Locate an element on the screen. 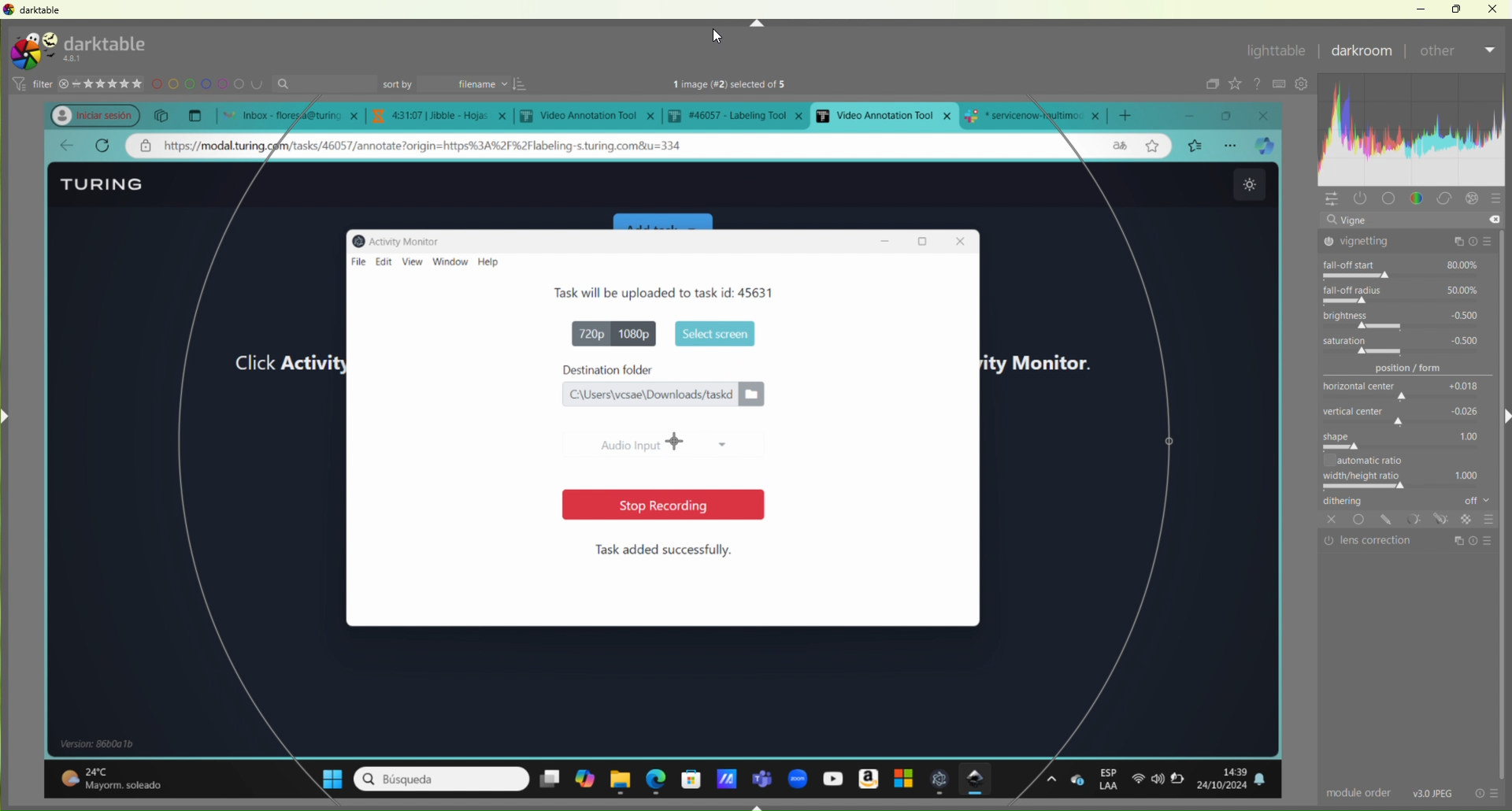 This screenshot has height=811, width=1512. open tabs is located at coordinates (287, 114).